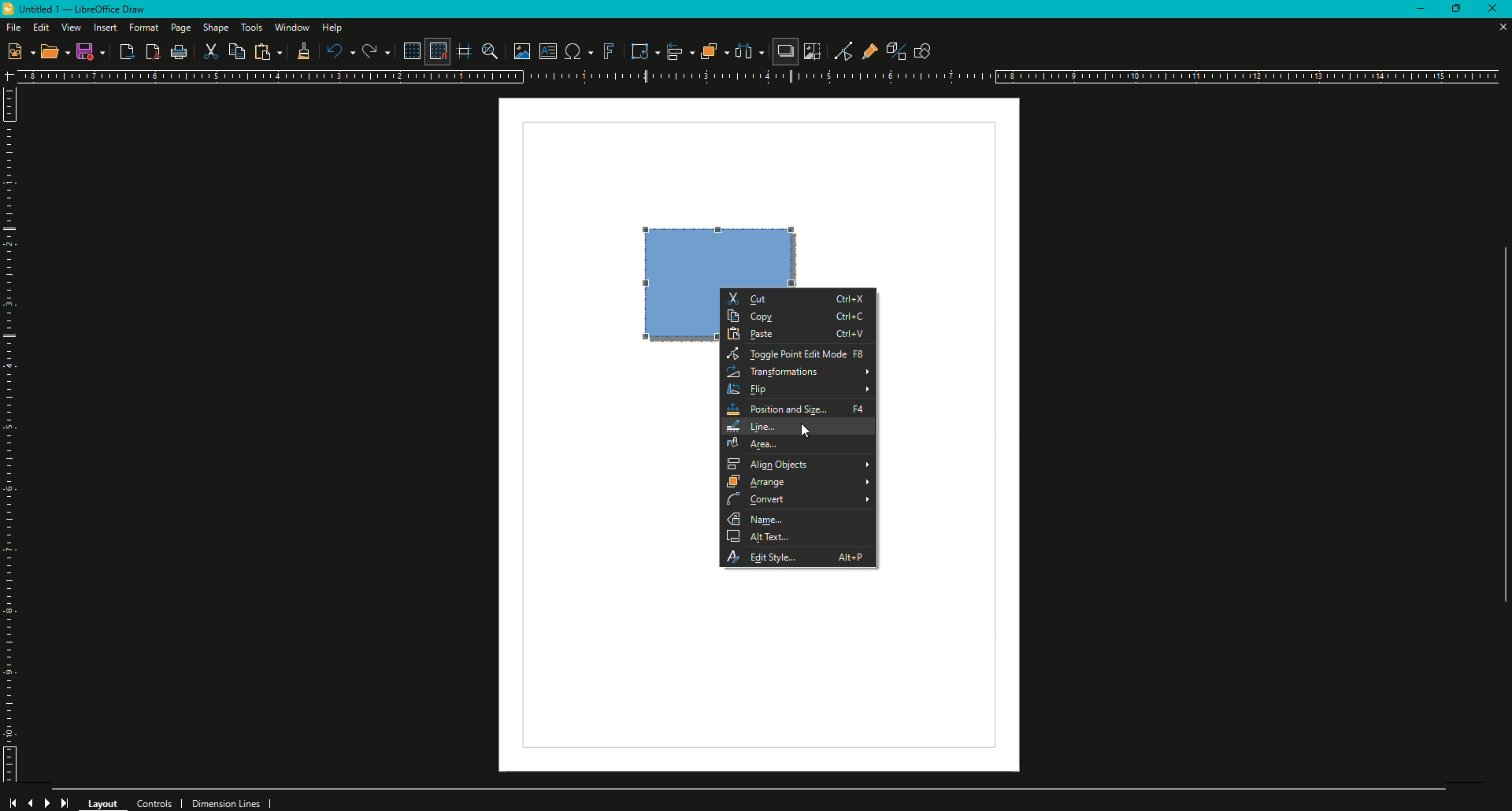  Describe the element at coordinates (865, 50) in the screenshot. I see `Show Gluepoint Functions` at that location.